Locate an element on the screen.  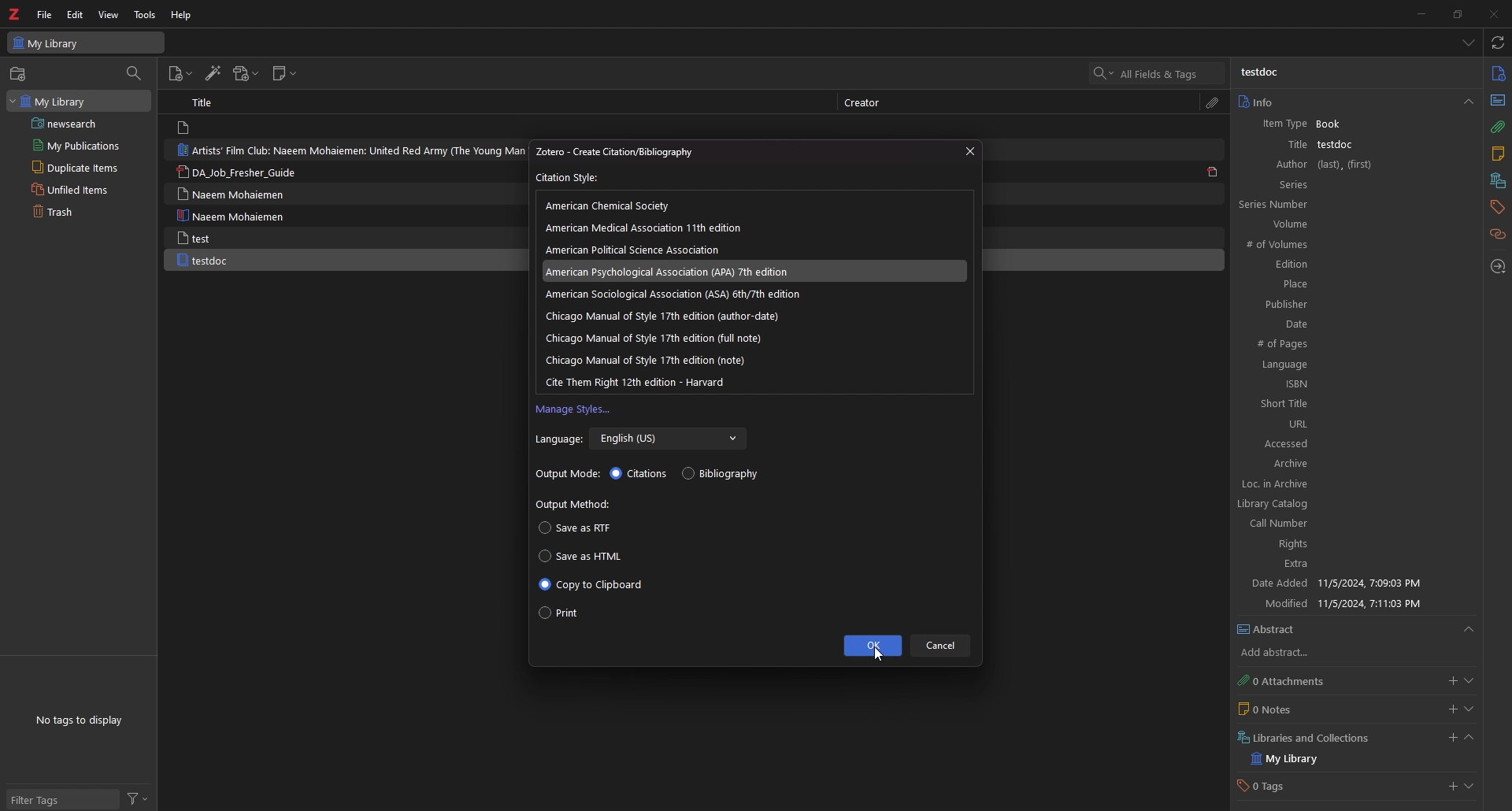
attachment is located at coordinates (1213, 103).